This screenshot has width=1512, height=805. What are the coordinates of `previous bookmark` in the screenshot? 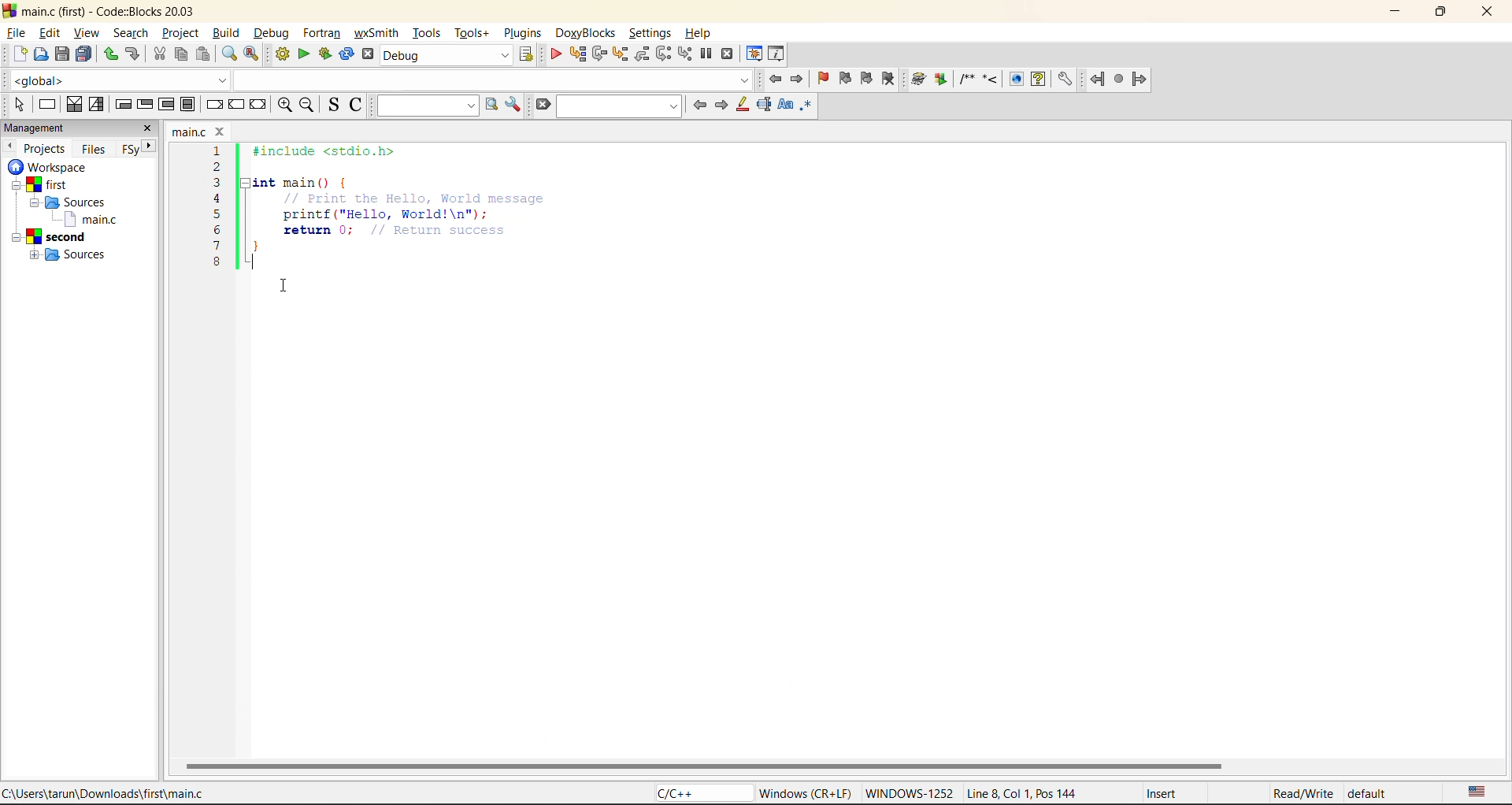 It's located at (845, 77).